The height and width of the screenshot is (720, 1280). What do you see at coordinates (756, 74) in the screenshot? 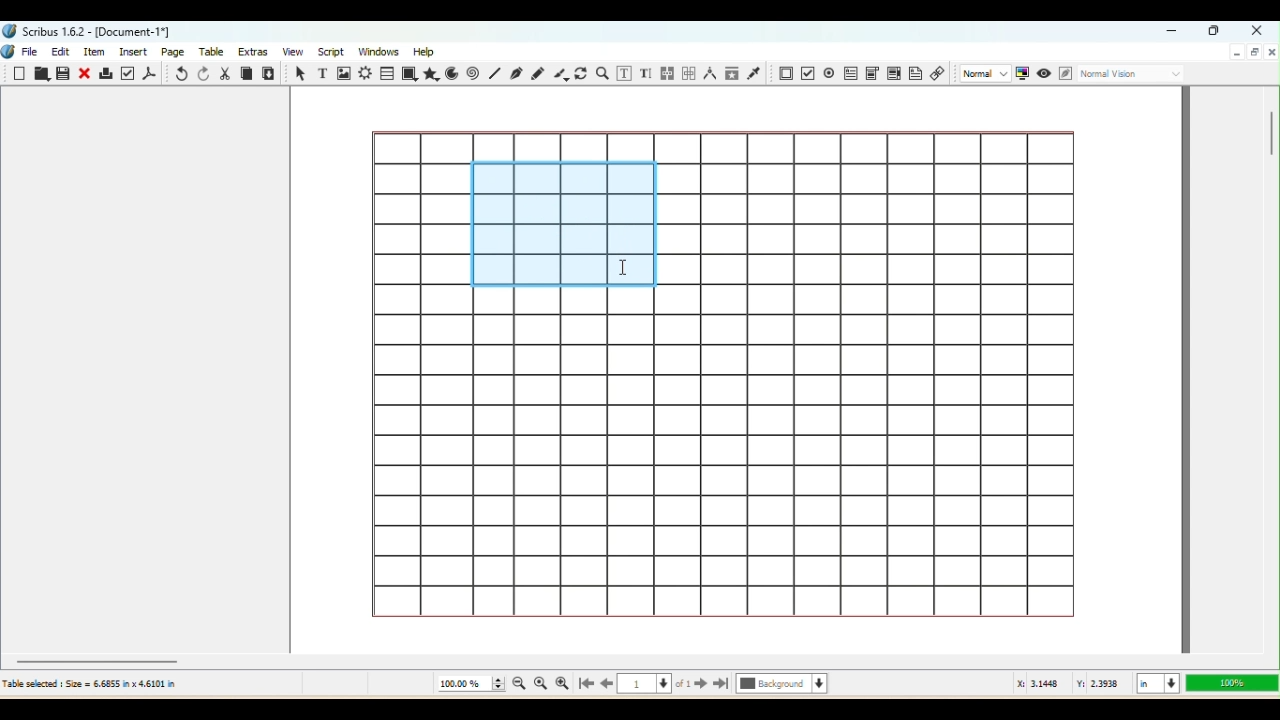
I see `Eye dropper` at bounding box center [756, 74].